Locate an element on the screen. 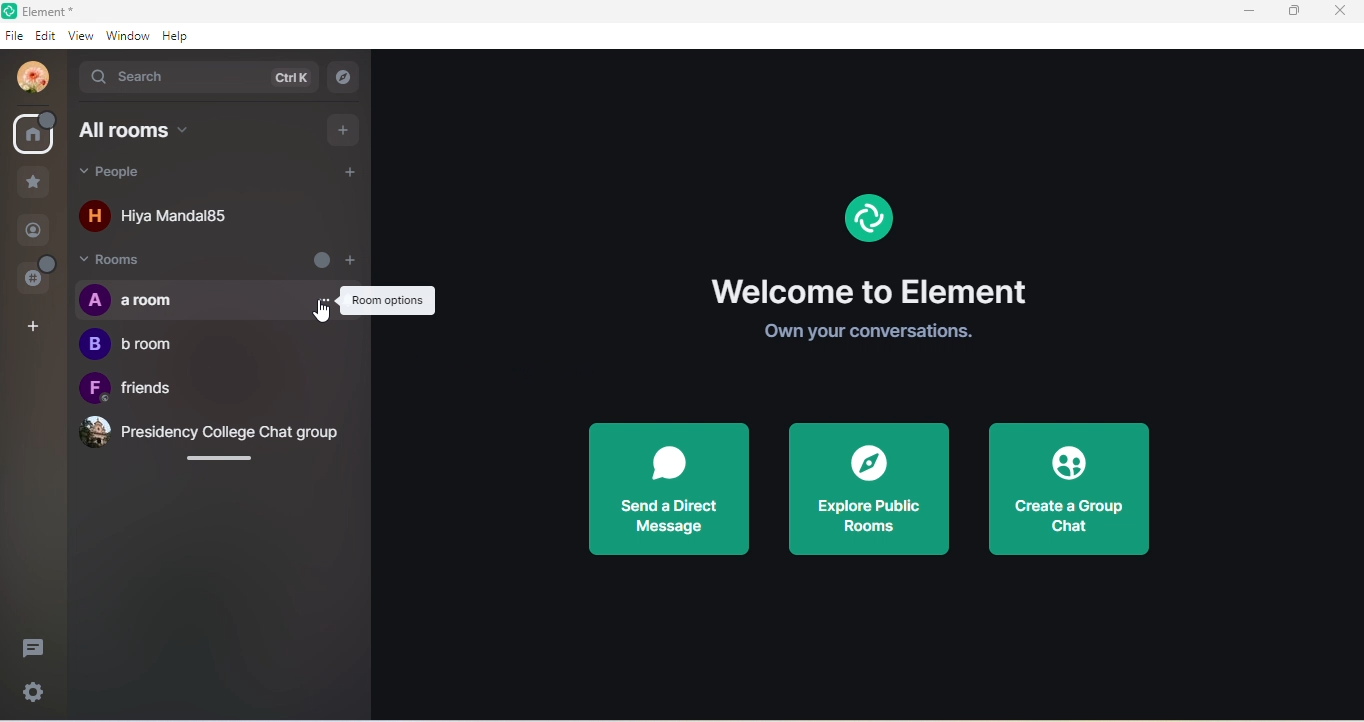  thread is located at coordinates (33, 646).